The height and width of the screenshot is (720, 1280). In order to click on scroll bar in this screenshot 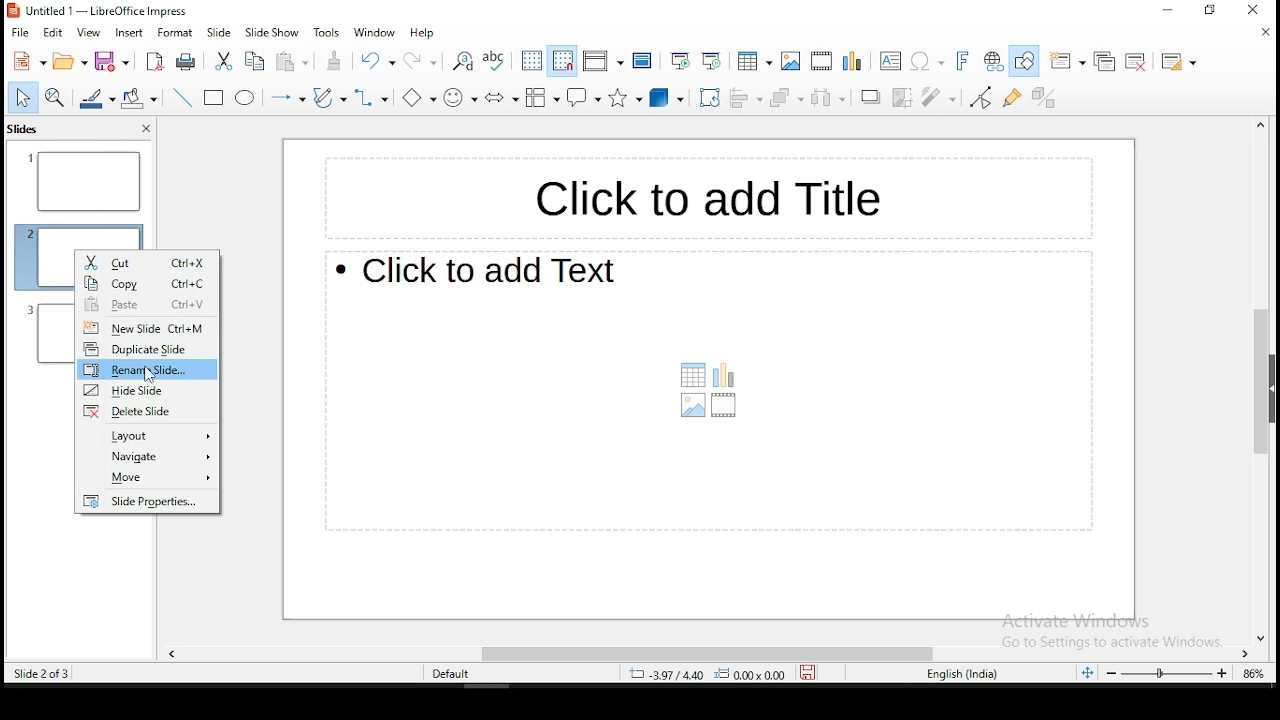, I will do `click(711, 651)`.